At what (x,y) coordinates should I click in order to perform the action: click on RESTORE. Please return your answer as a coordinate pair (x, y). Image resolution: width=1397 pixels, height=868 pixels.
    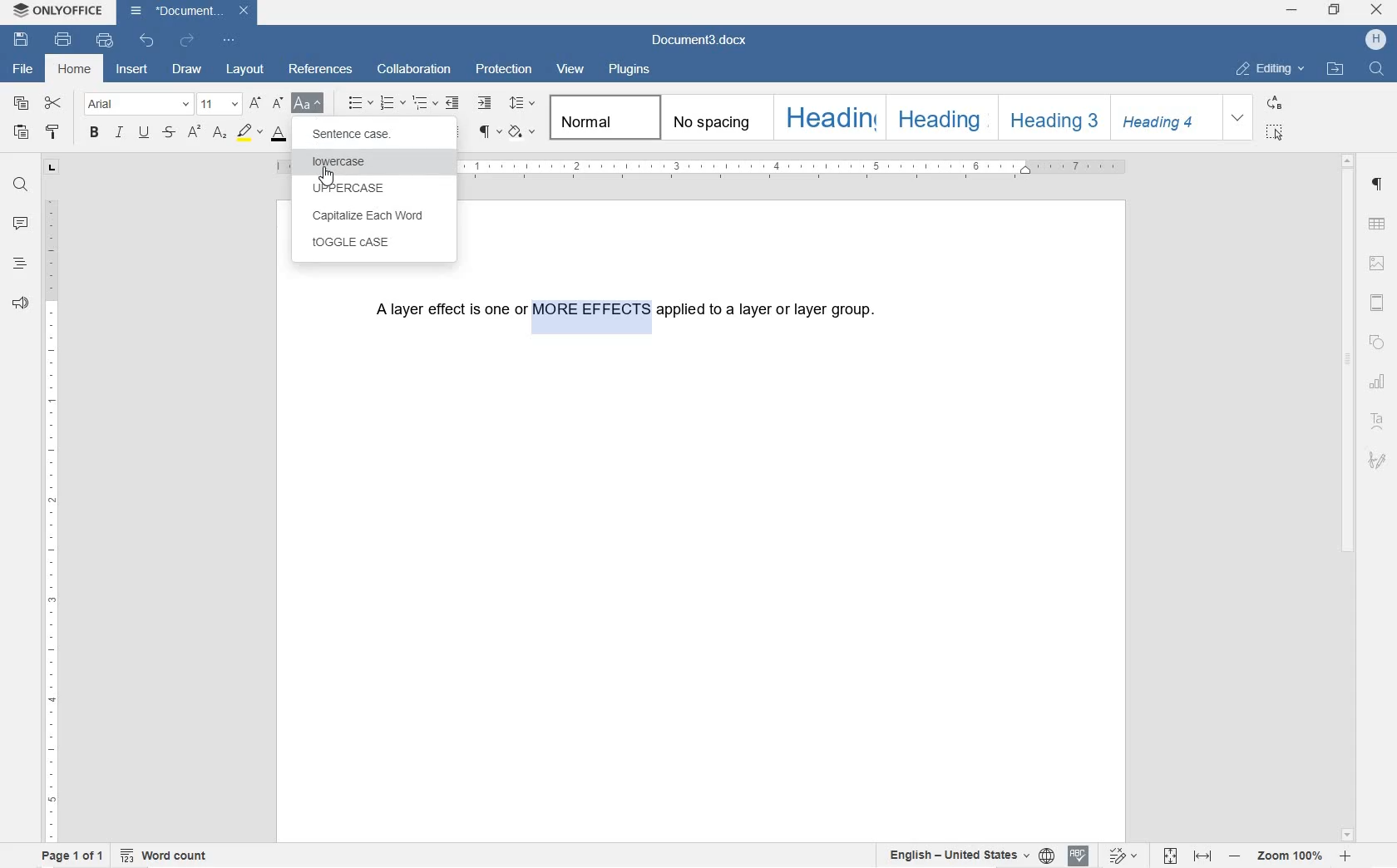
    Looking at the image, I should click on (1335, 12).